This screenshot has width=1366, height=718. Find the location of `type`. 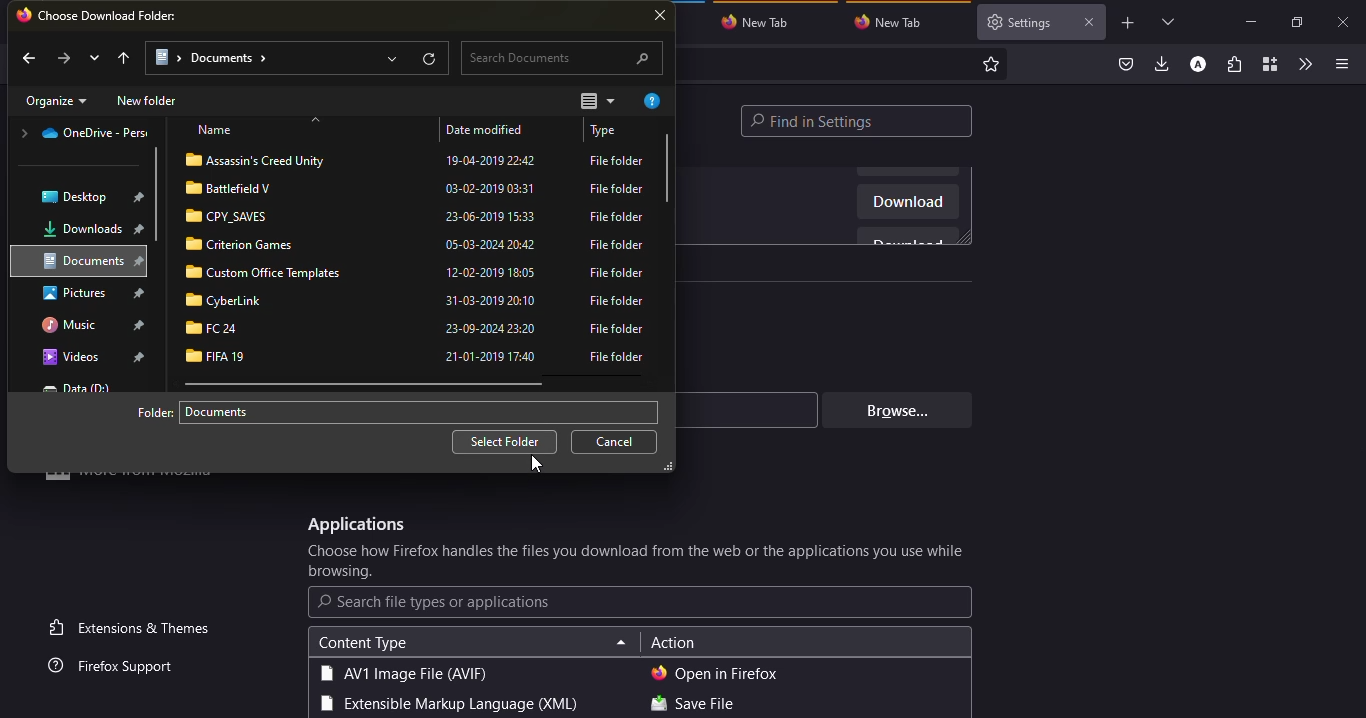

type is located at coordinates (620, 190).